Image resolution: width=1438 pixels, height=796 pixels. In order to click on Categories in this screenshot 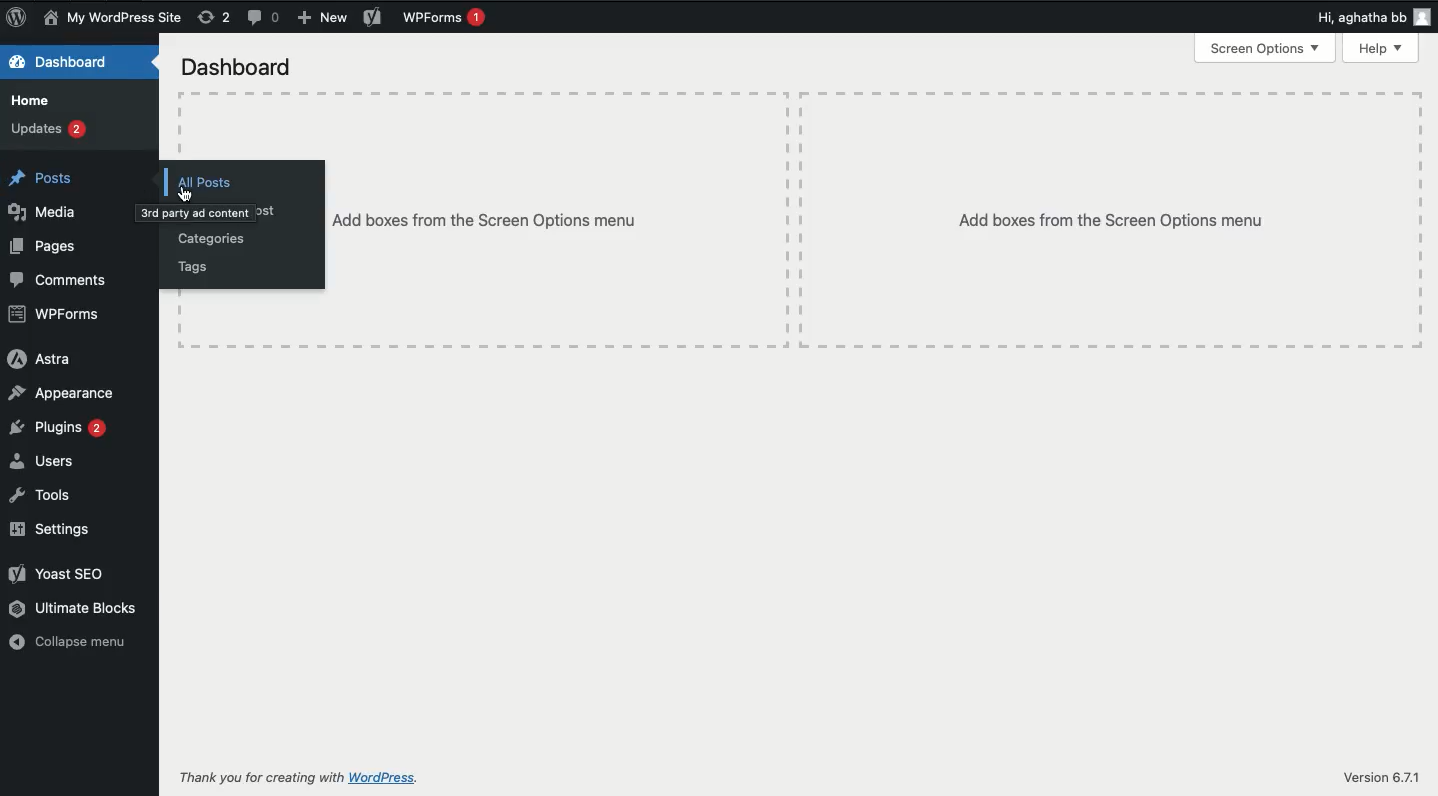, I will do `click(215, 240)`.